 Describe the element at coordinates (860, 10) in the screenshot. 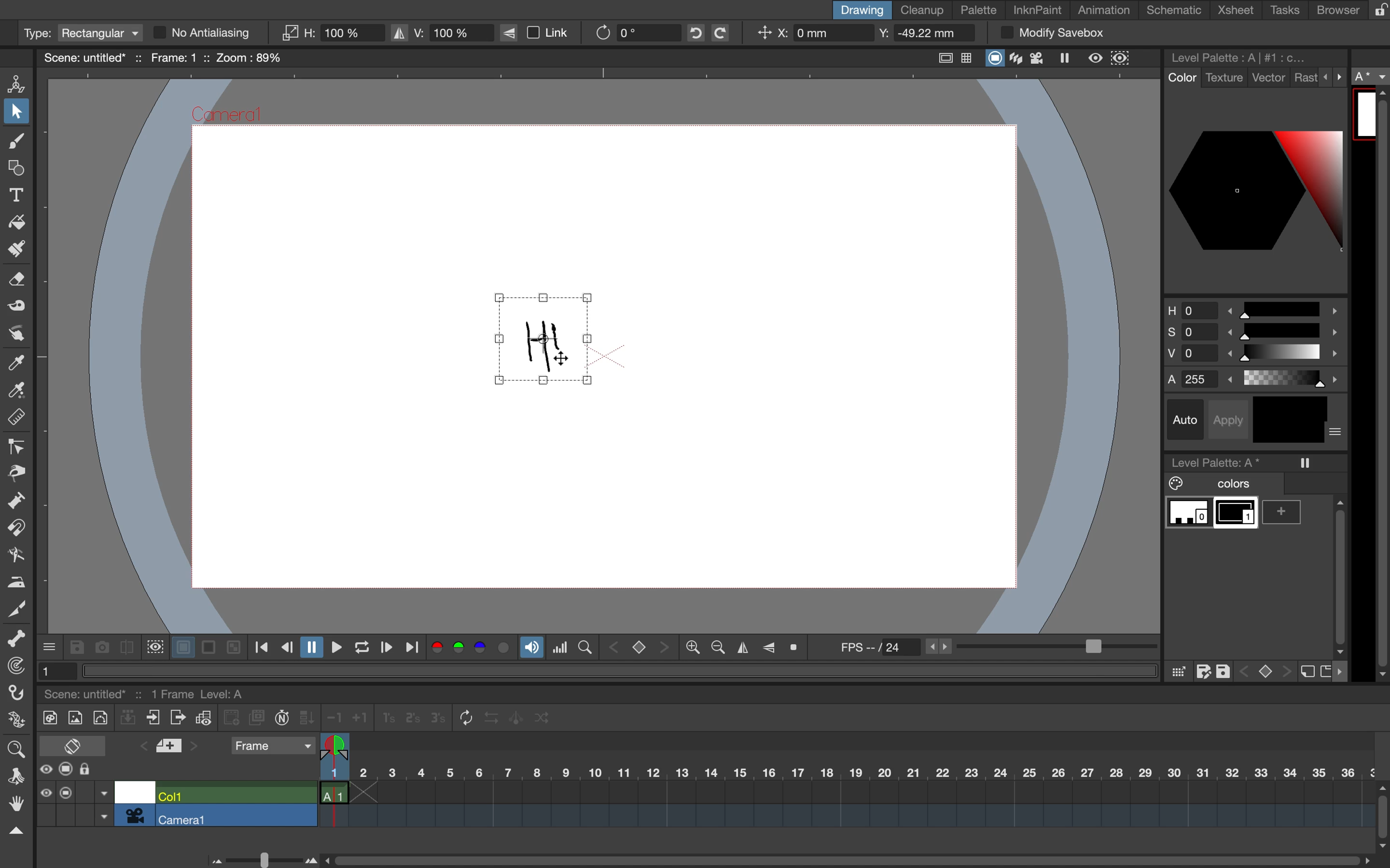

I see `drawing` at that location.